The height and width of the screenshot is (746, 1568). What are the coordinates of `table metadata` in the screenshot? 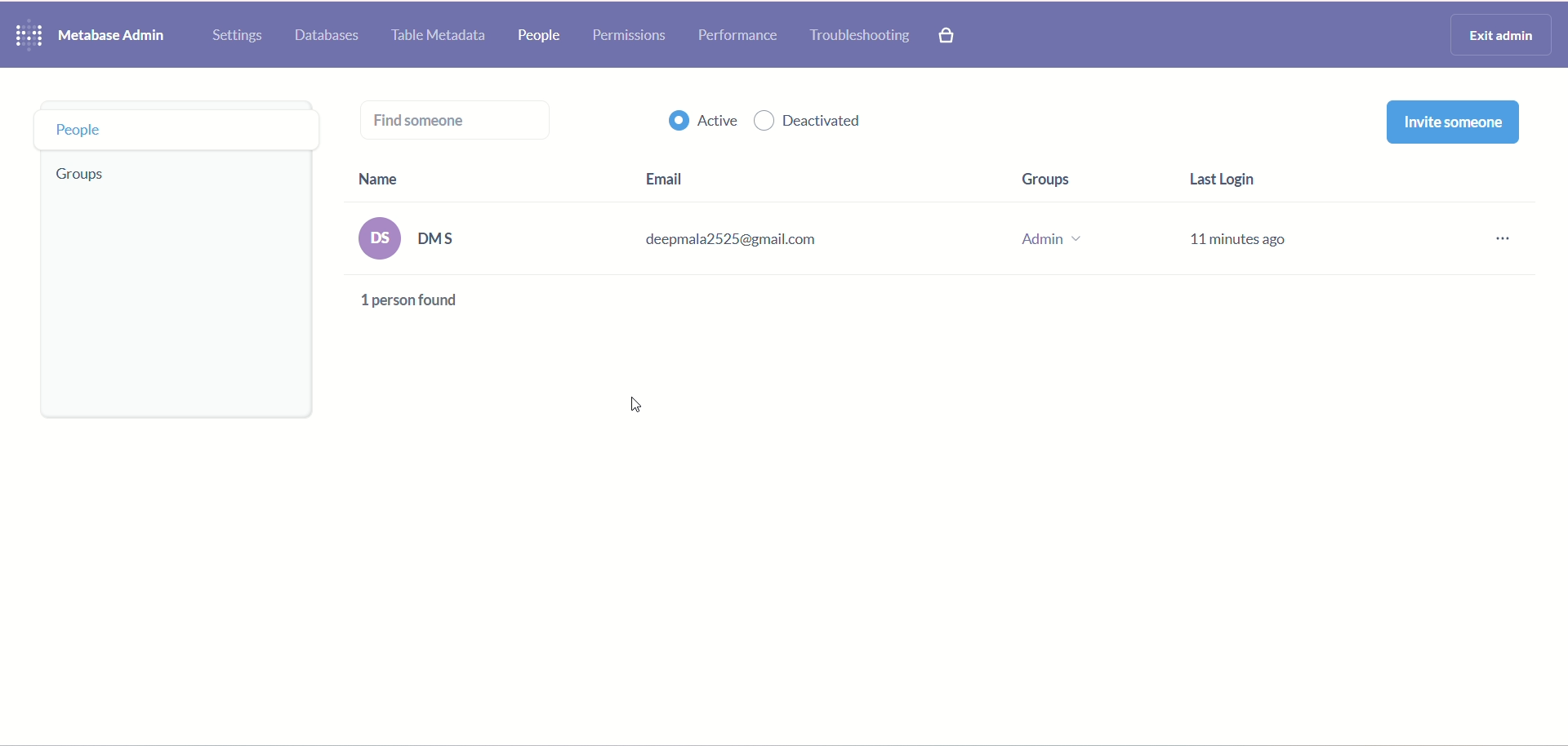 It's located at (443, 36).